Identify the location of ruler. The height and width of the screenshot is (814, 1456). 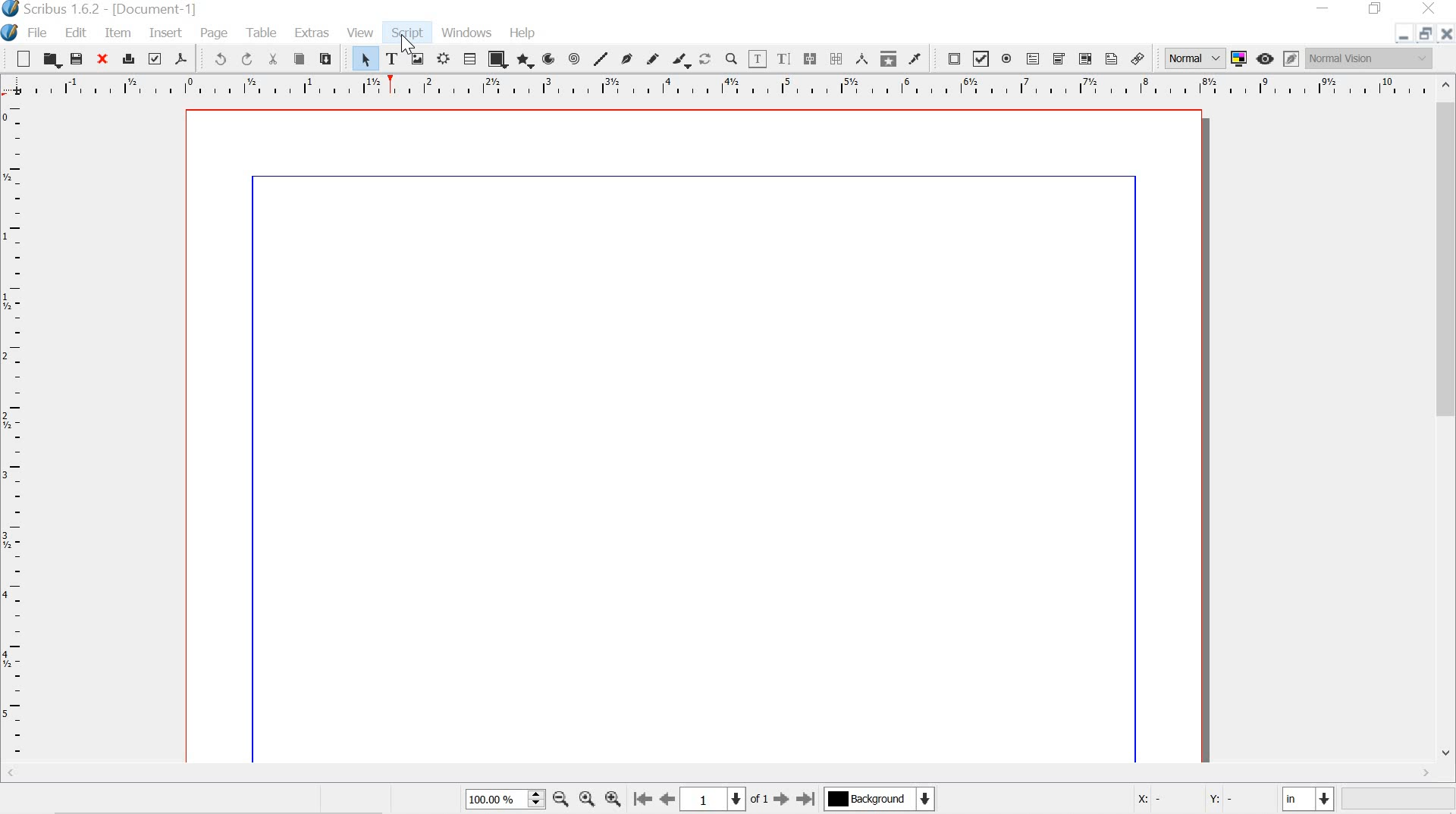
(14, 433).